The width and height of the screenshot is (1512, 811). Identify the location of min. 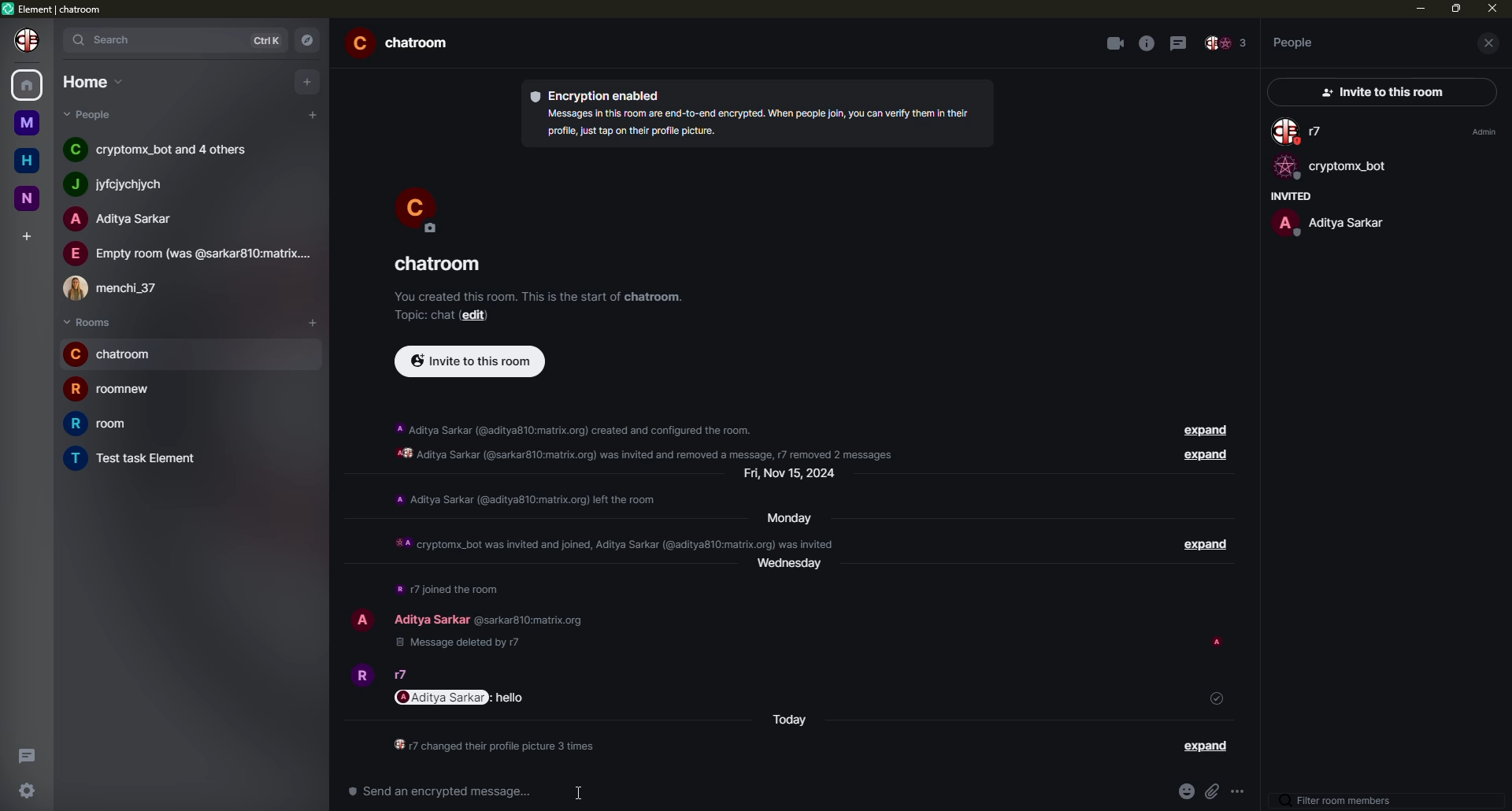
(1418, 8).